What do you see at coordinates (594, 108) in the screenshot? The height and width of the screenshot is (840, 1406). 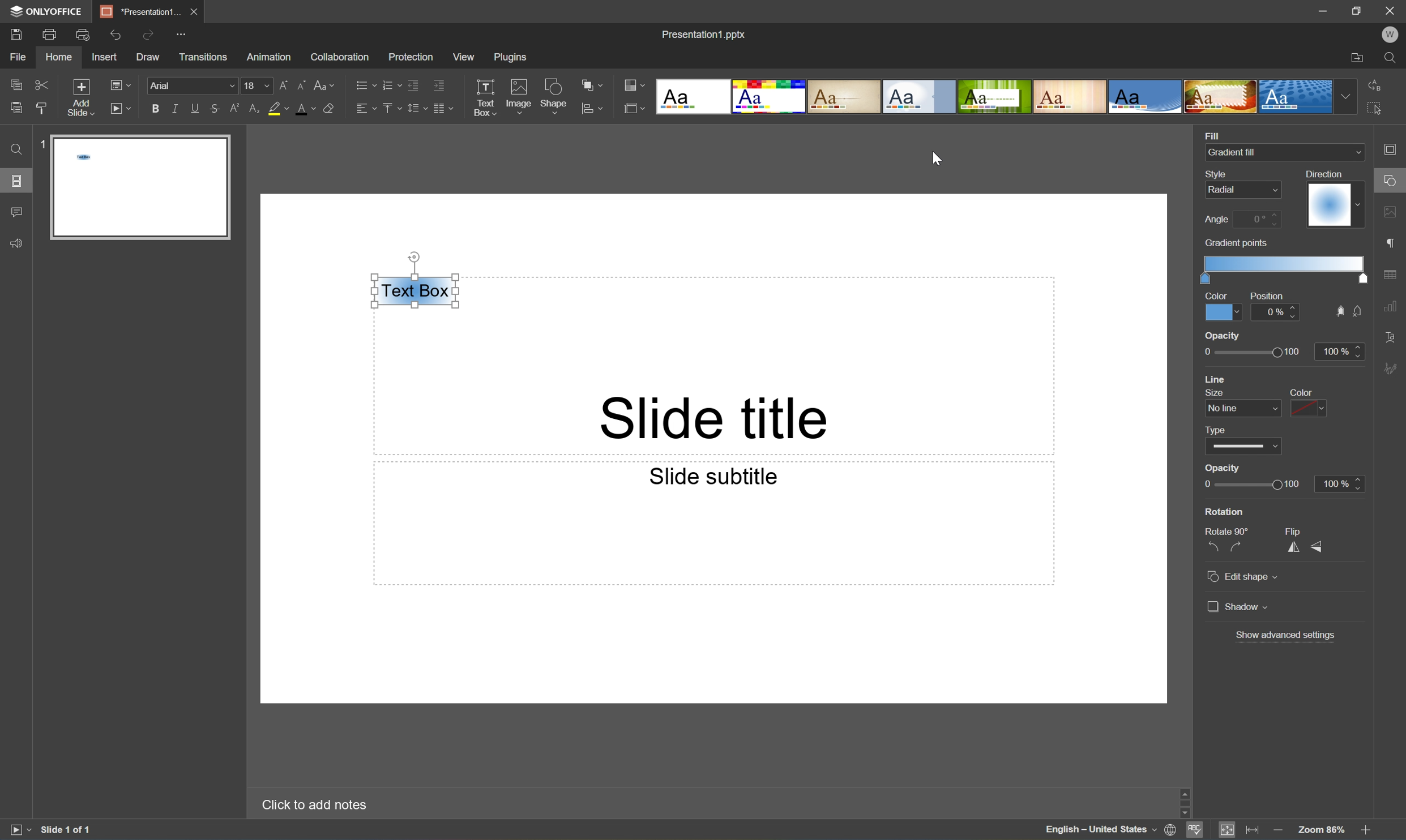 I see `Align shape` at bounding box center [594, 108].